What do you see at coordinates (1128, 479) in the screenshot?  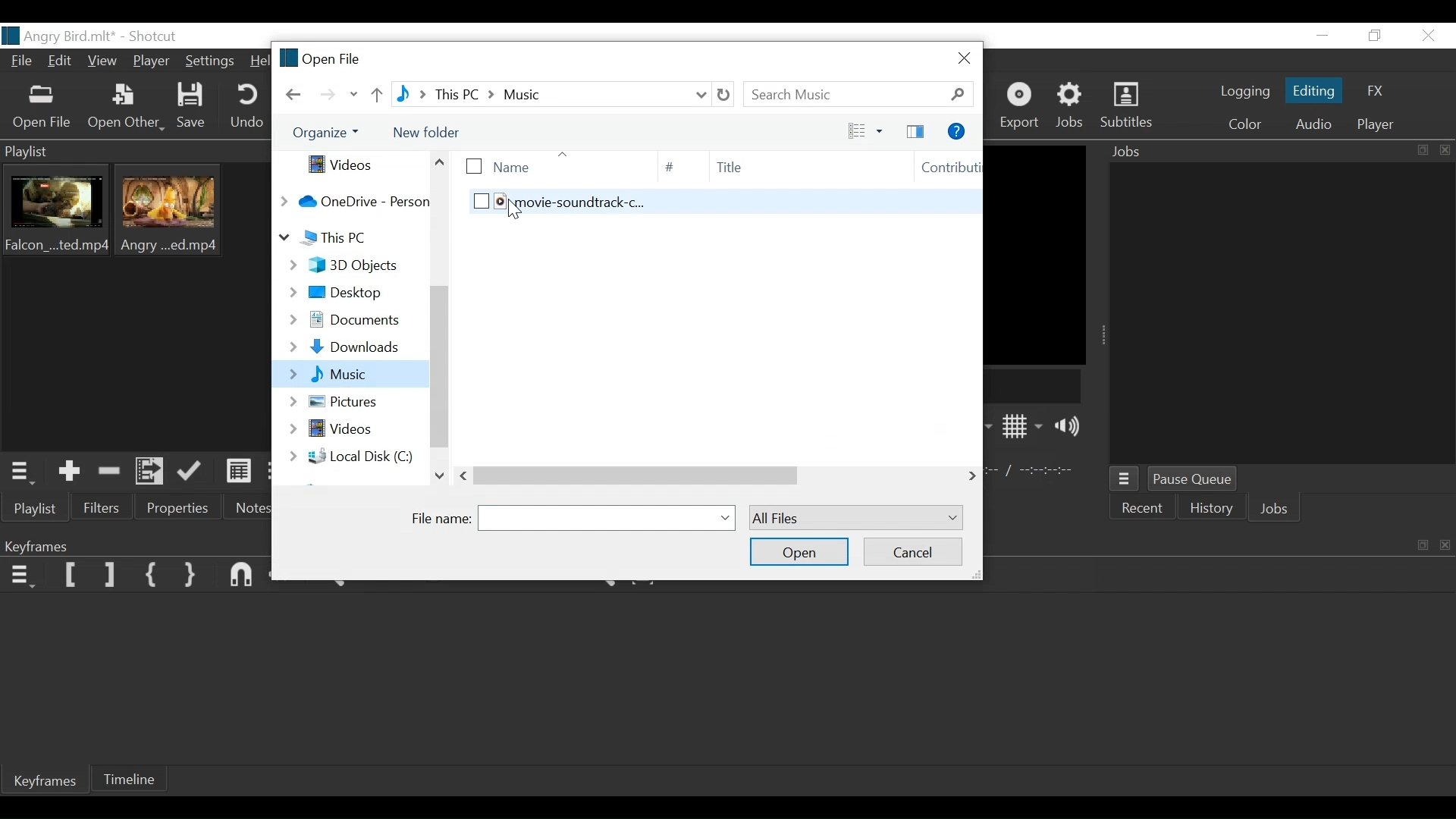 I see `Jobs Menu` at bounding box center [1128, 479].